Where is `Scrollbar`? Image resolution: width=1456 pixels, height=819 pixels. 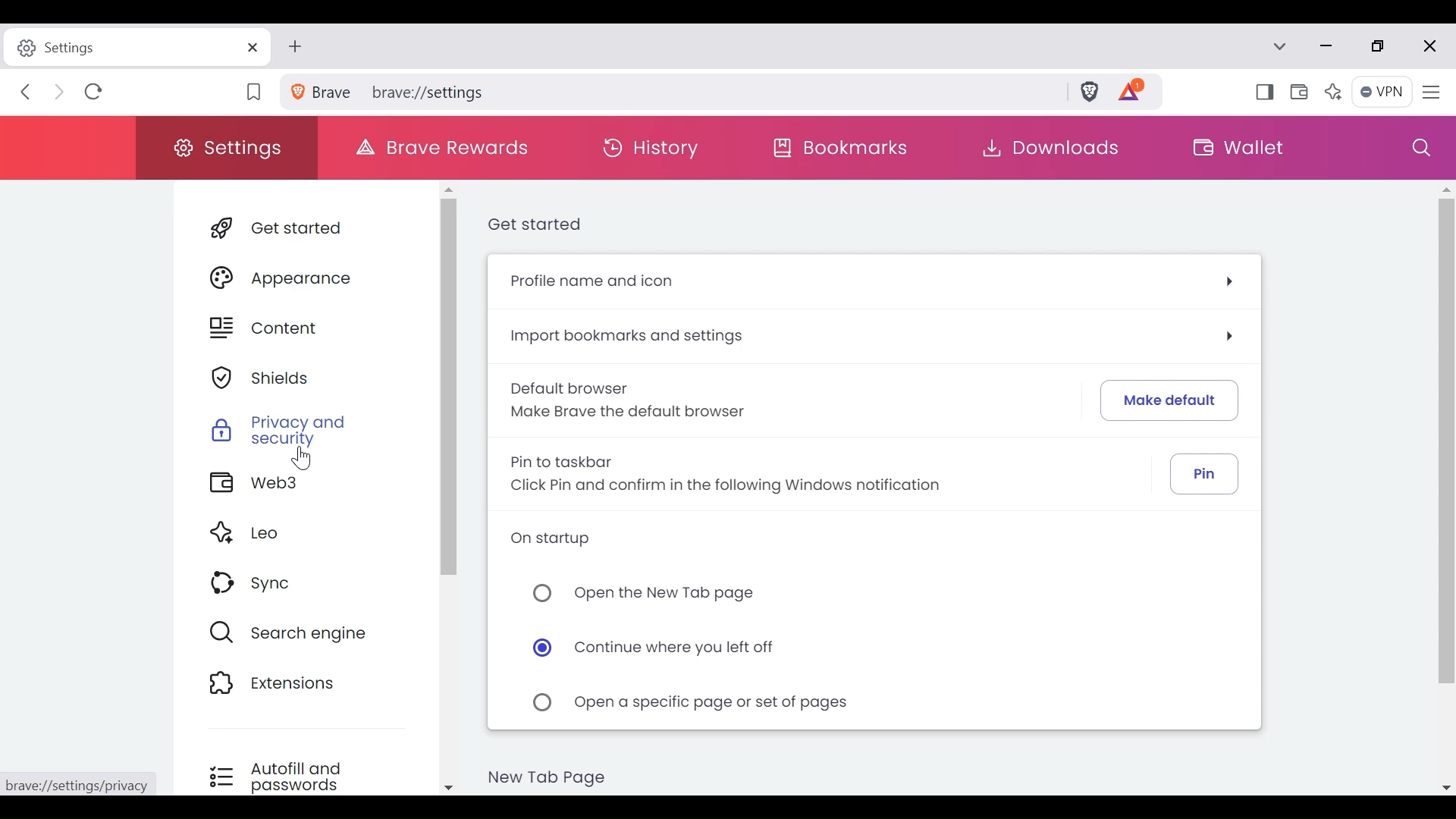
Scrollbar is located at coordinates (447, 387).